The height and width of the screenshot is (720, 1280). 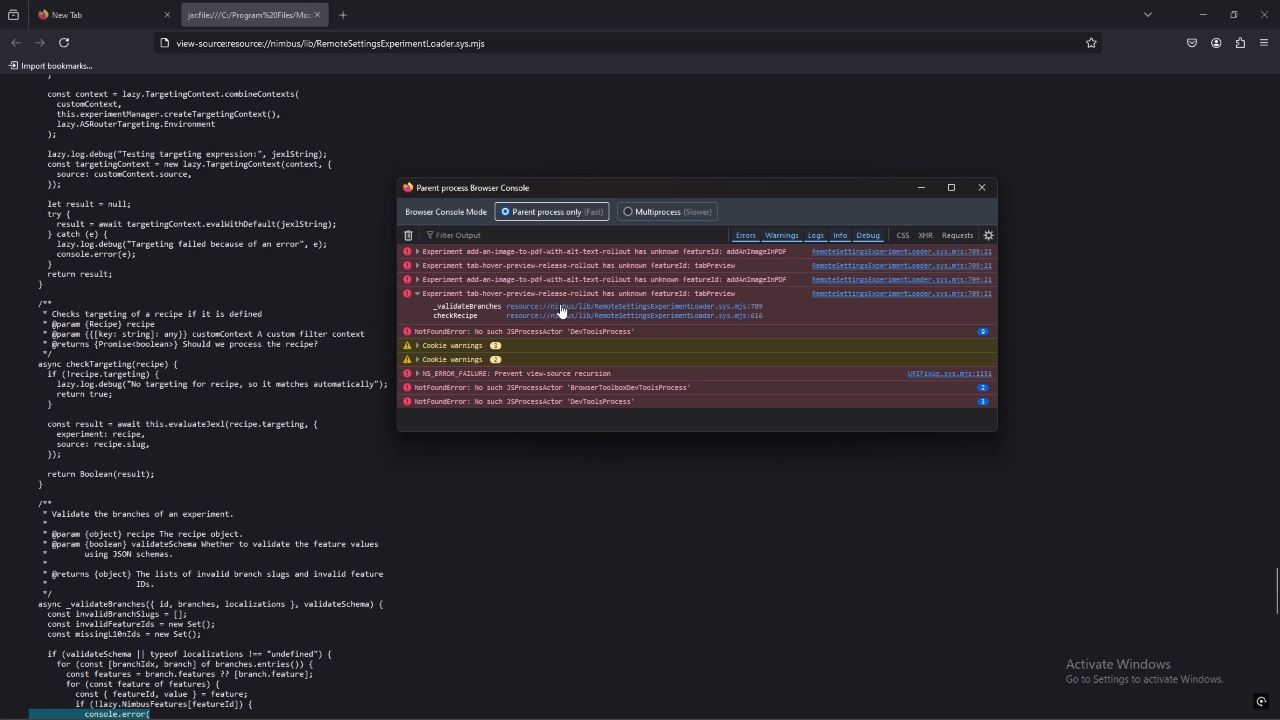 What do you see at coordinates (901, 279) in the screenshot?
I see `source` at bounding box center [901, 279].